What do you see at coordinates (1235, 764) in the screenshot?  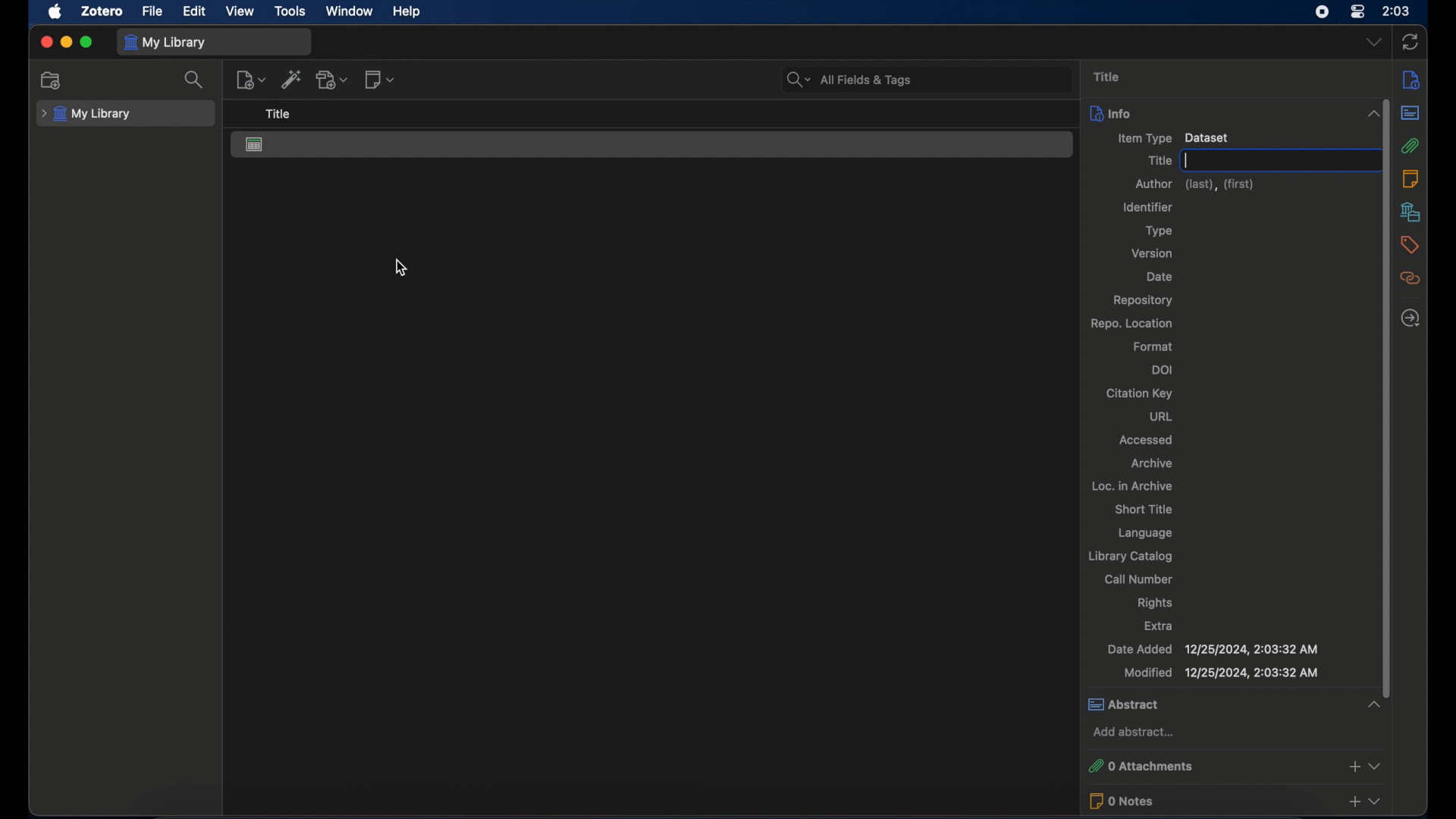 I see `0 attachments` at bounding box center [1235, 764].